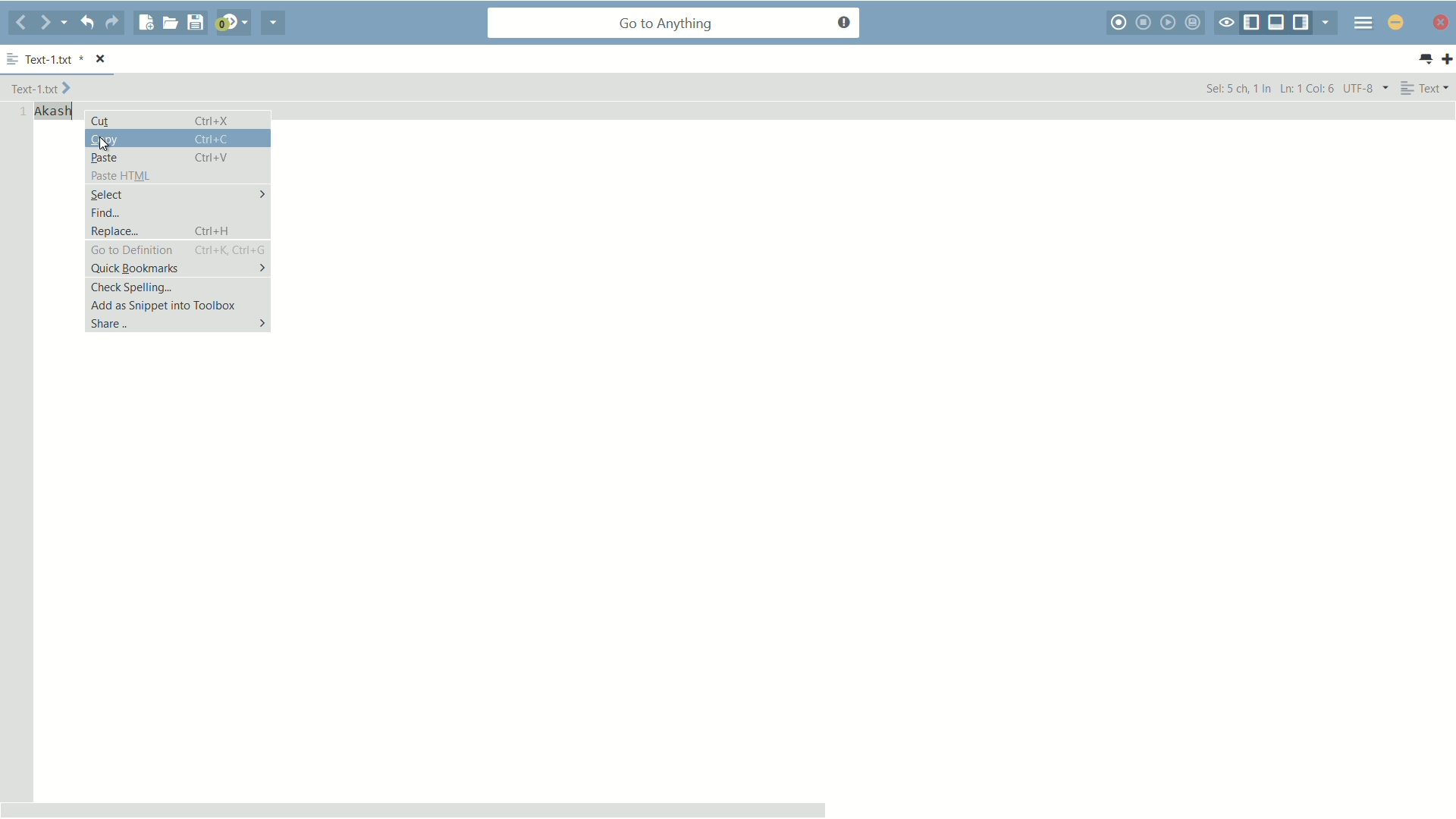 This screenshot has width=1456, height=819. I want to click on play last macro, so click(1170, 22).